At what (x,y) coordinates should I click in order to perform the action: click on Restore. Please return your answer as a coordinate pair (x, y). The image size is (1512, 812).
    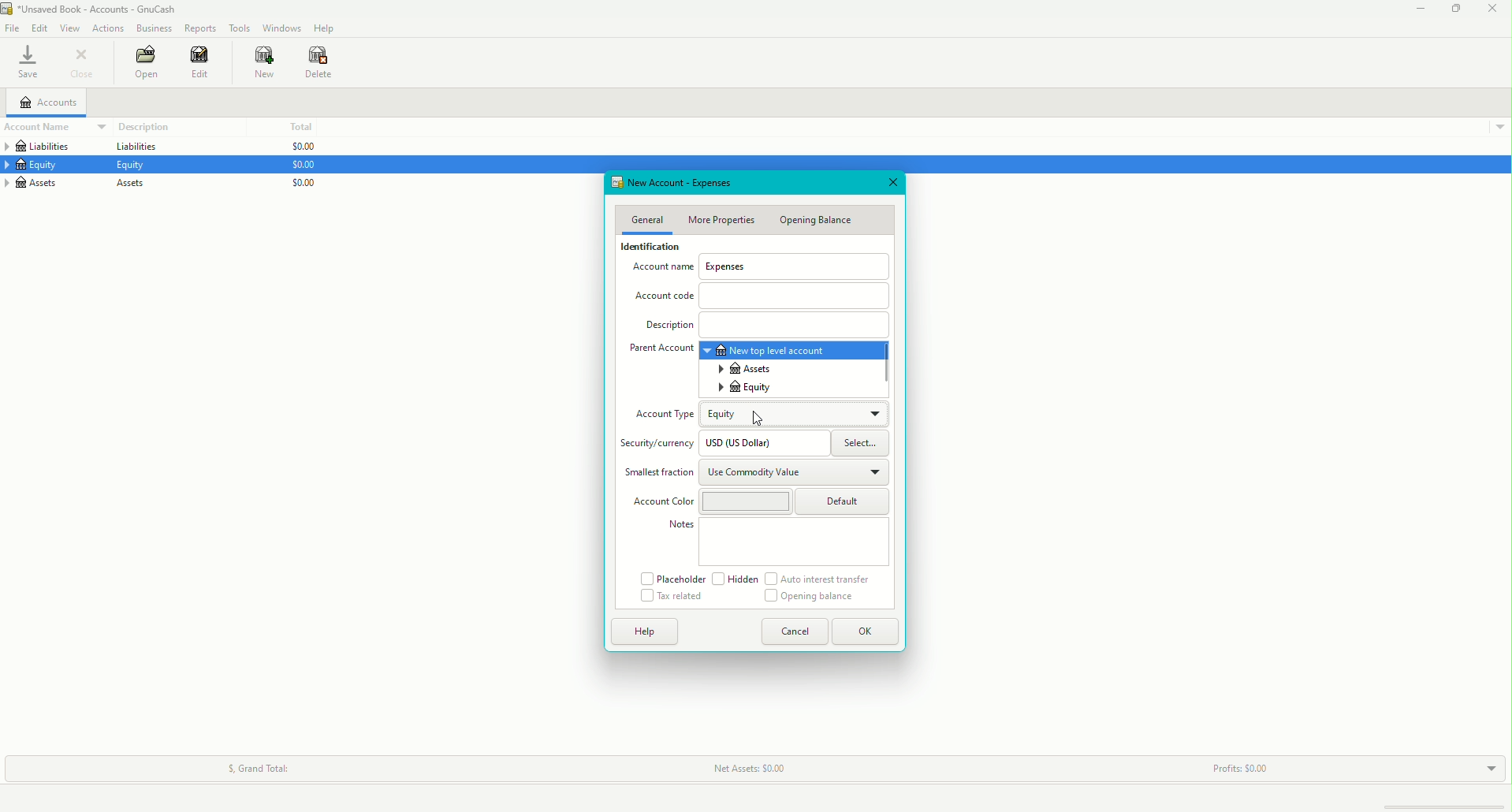
    Looking at the image, I should click on (1455, 12).